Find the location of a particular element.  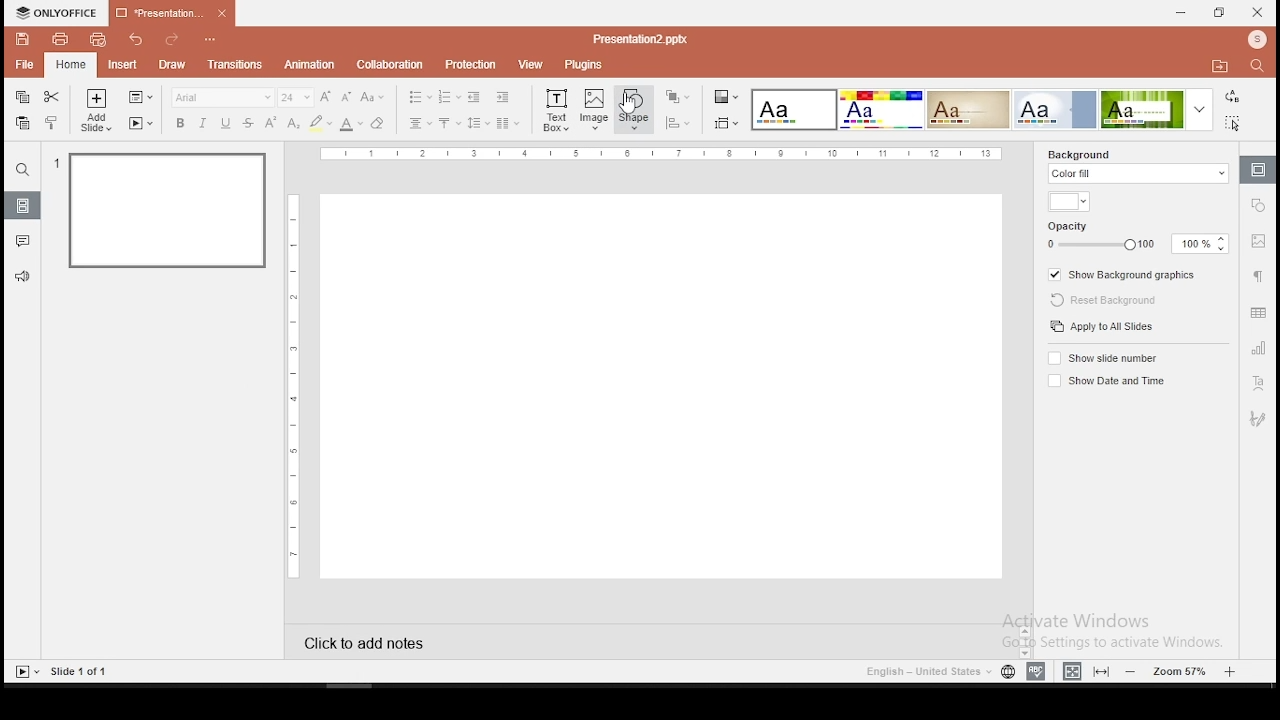

theme is located at coordinates (1055, 109).